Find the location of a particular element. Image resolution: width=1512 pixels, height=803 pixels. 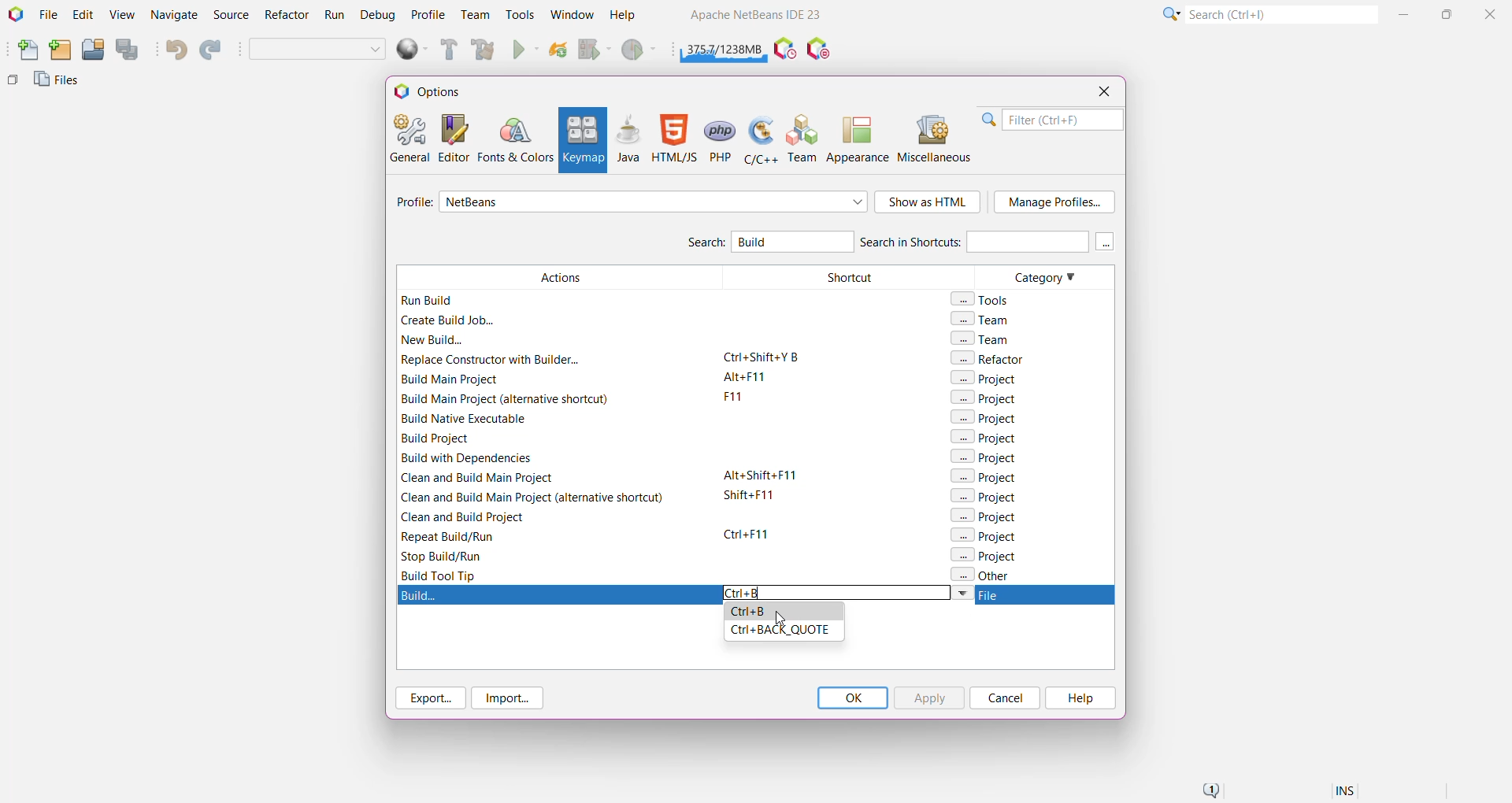

Type 'Build' to search for Build Action is located at coordinates (788, 243).